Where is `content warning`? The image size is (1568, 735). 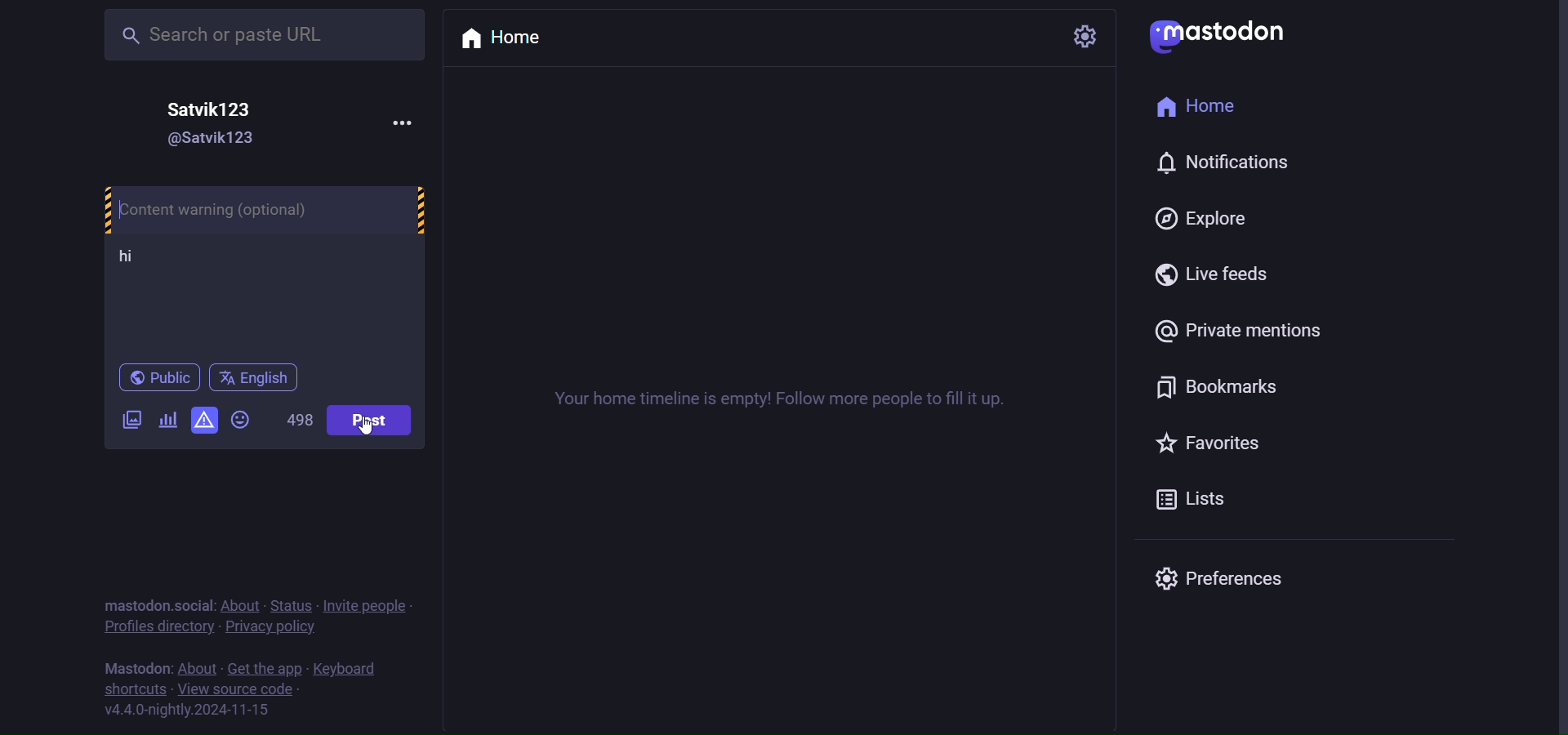 content warning is located at coordinates (207, 419).